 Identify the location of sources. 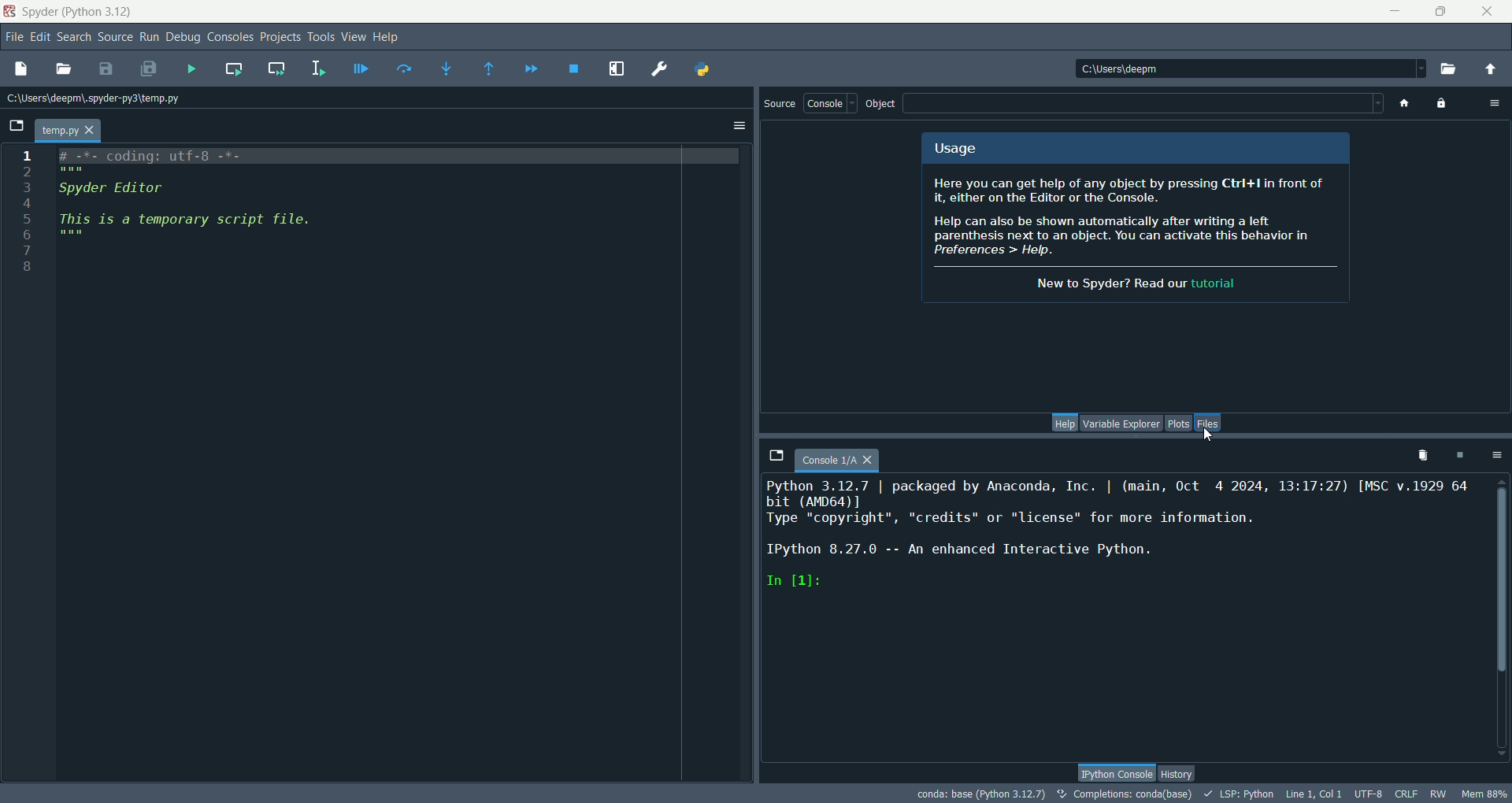
(115, 39).